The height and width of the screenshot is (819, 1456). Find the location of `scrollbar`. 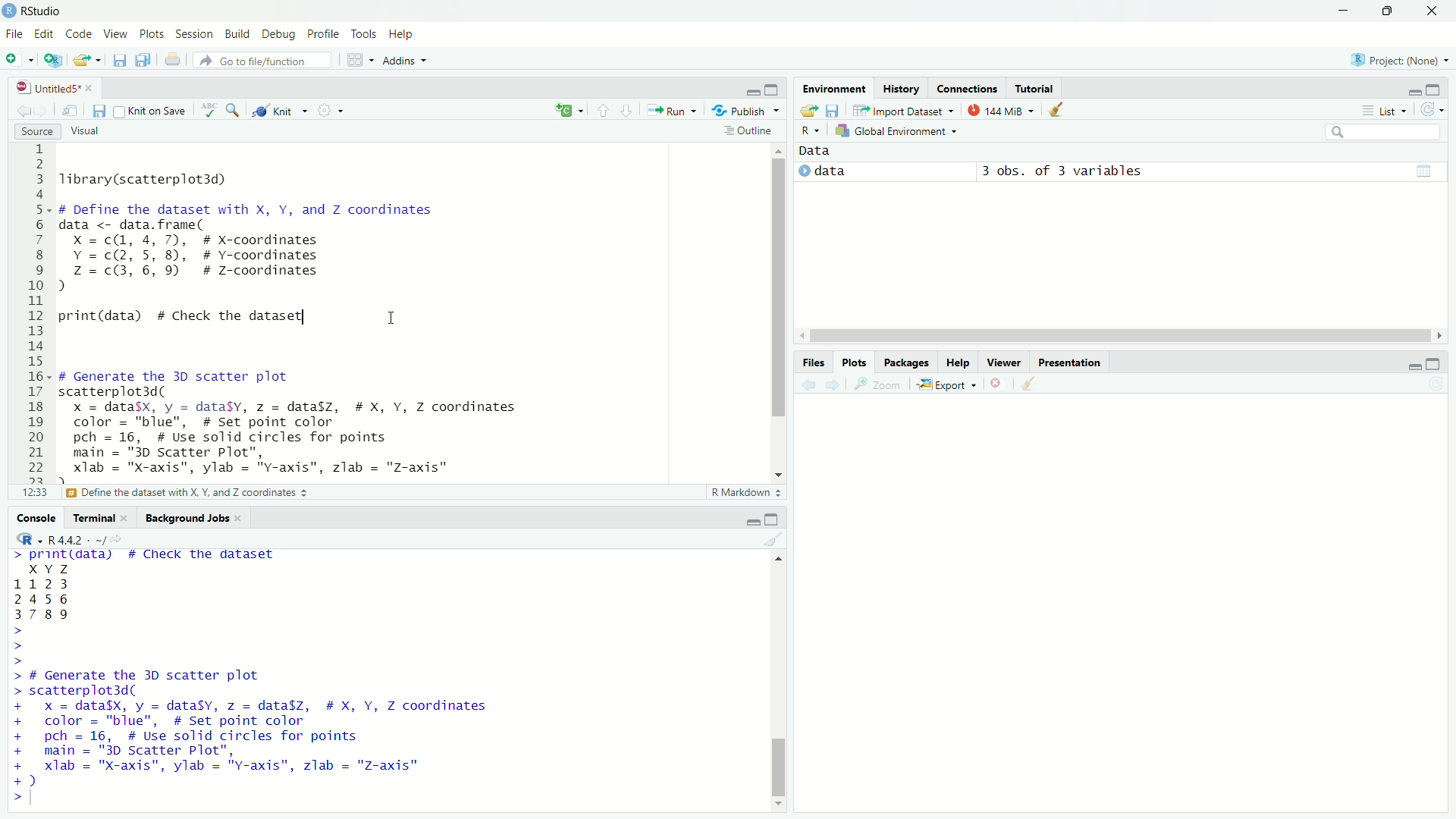

scrollbar is located at coordinates (1119, 335).